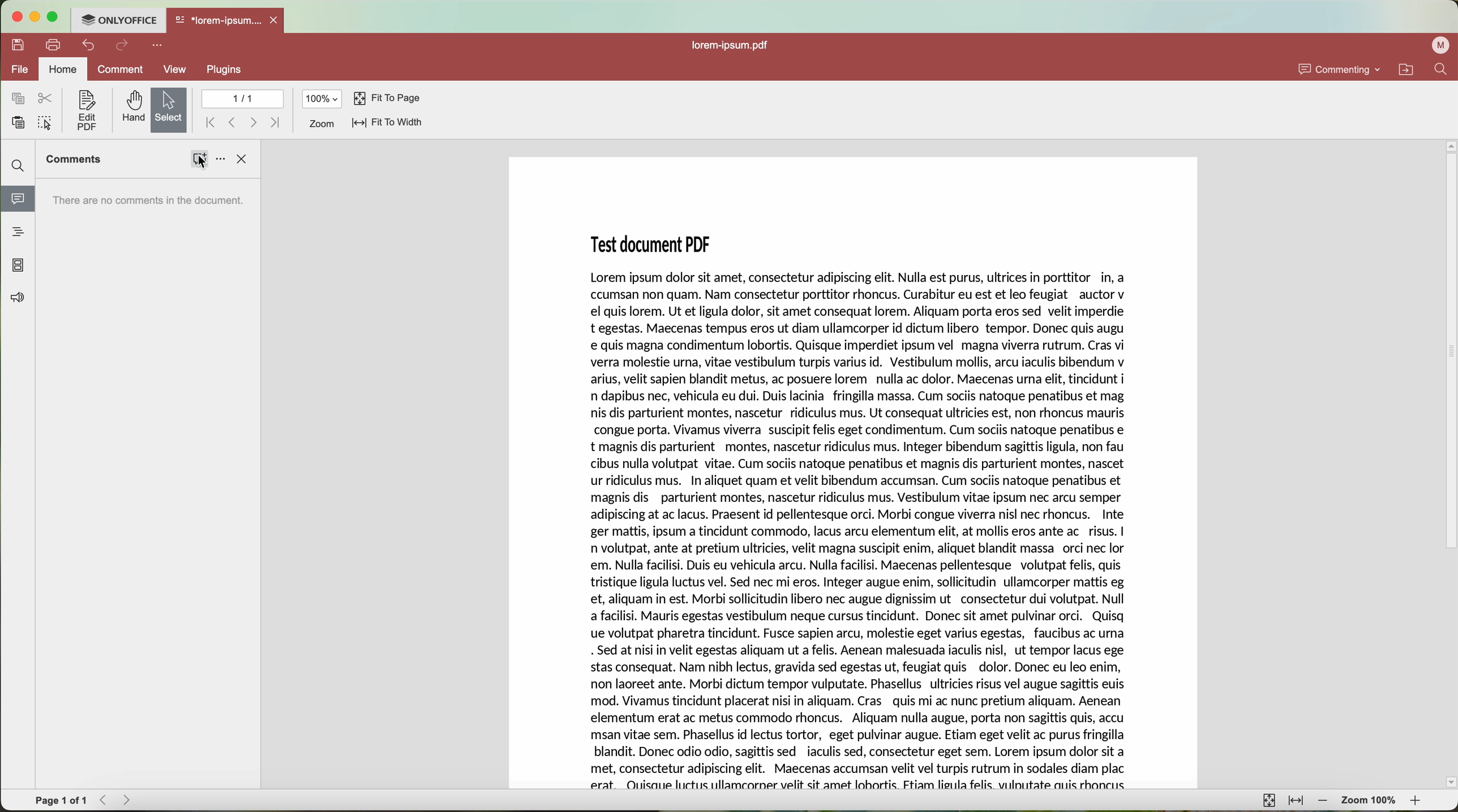 The image size is (1458, 812). What do you see at coordinates (17, 201) in the screenshot?
I see `click on comments` at bounding box center [17, 201].